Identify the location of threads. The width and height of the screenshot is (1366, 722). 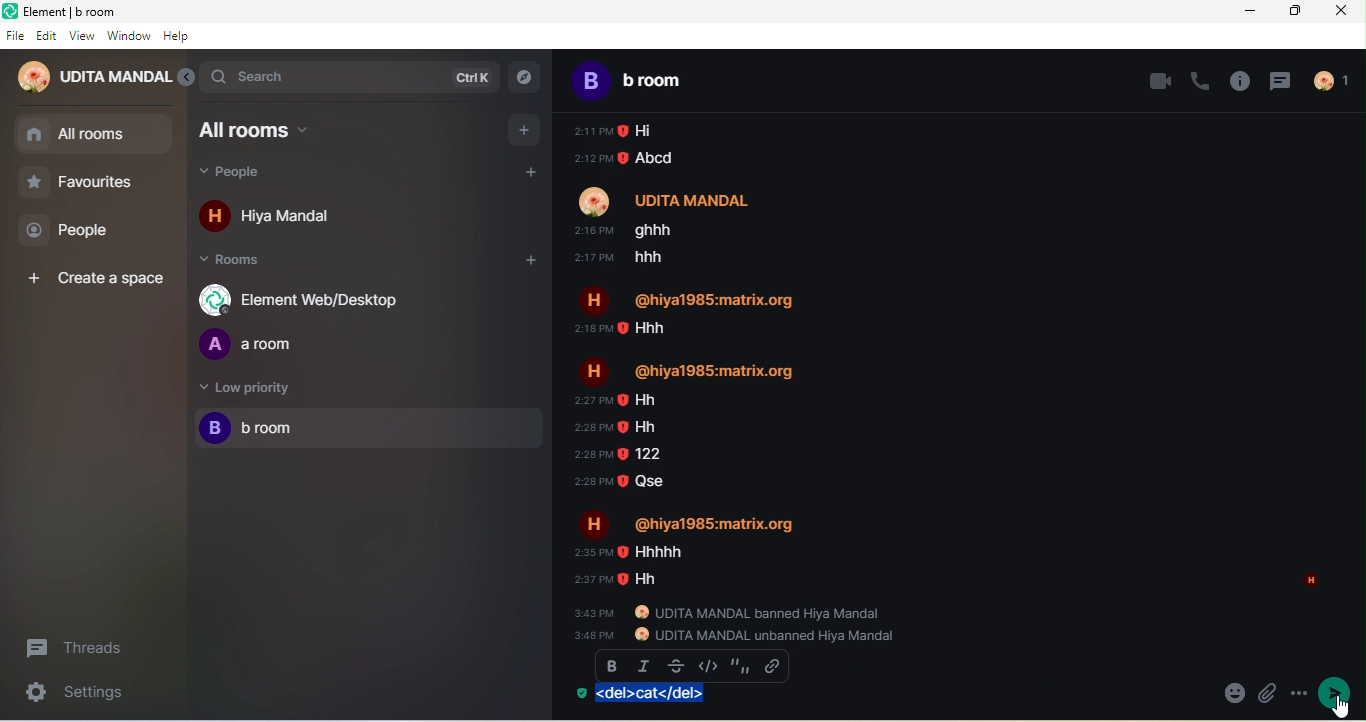
(85, 648).